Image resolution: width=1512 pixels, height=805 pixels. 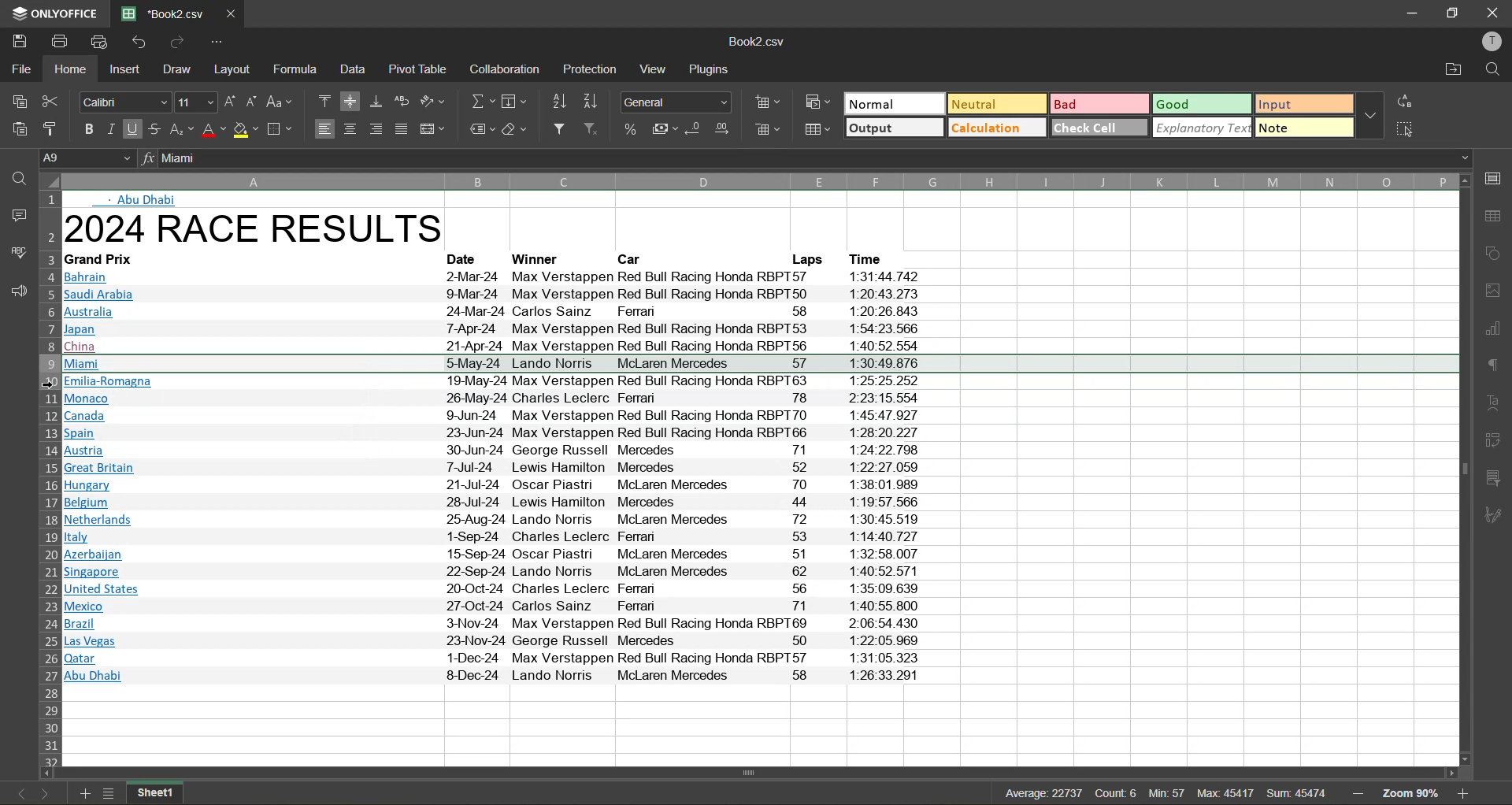 I want to click on fill color, so click(x=246, y=131).